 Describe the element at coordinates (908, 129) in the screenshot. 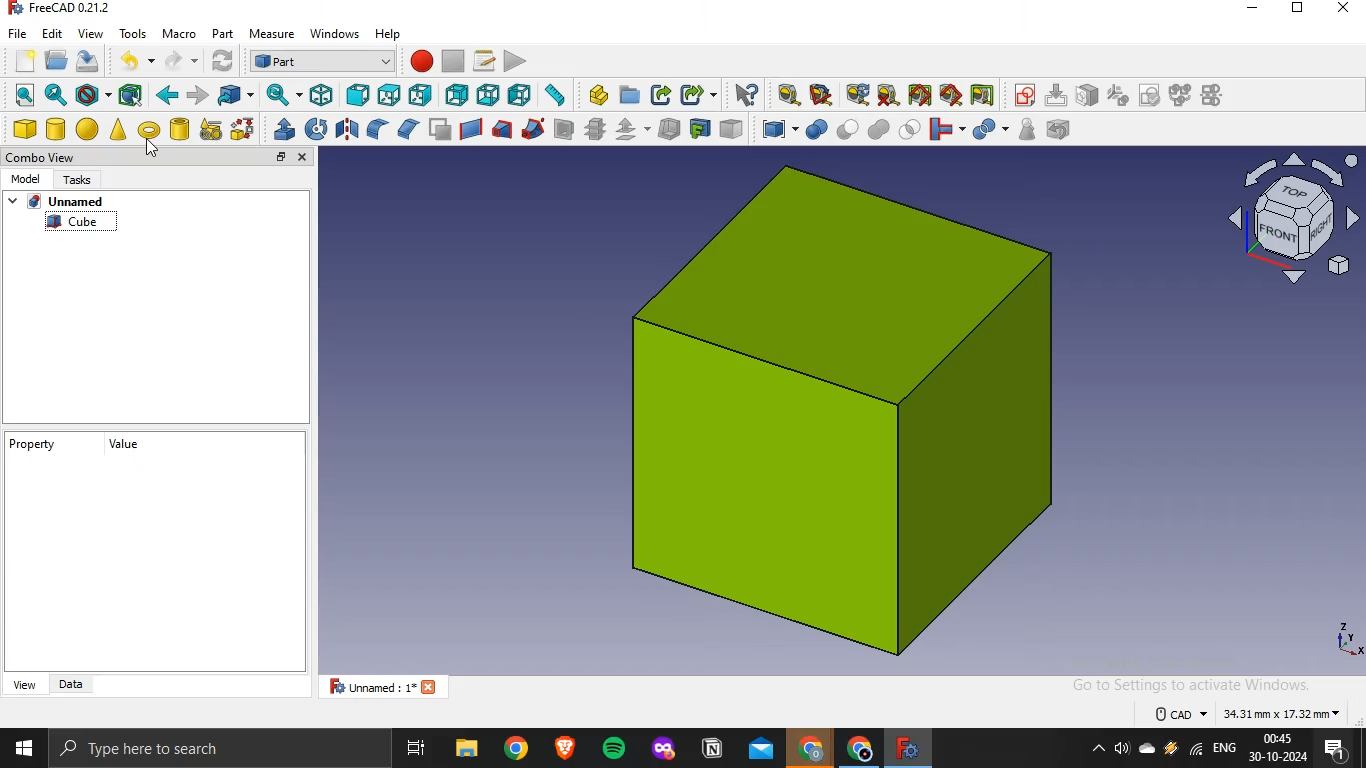

I see `intersection` at that location.